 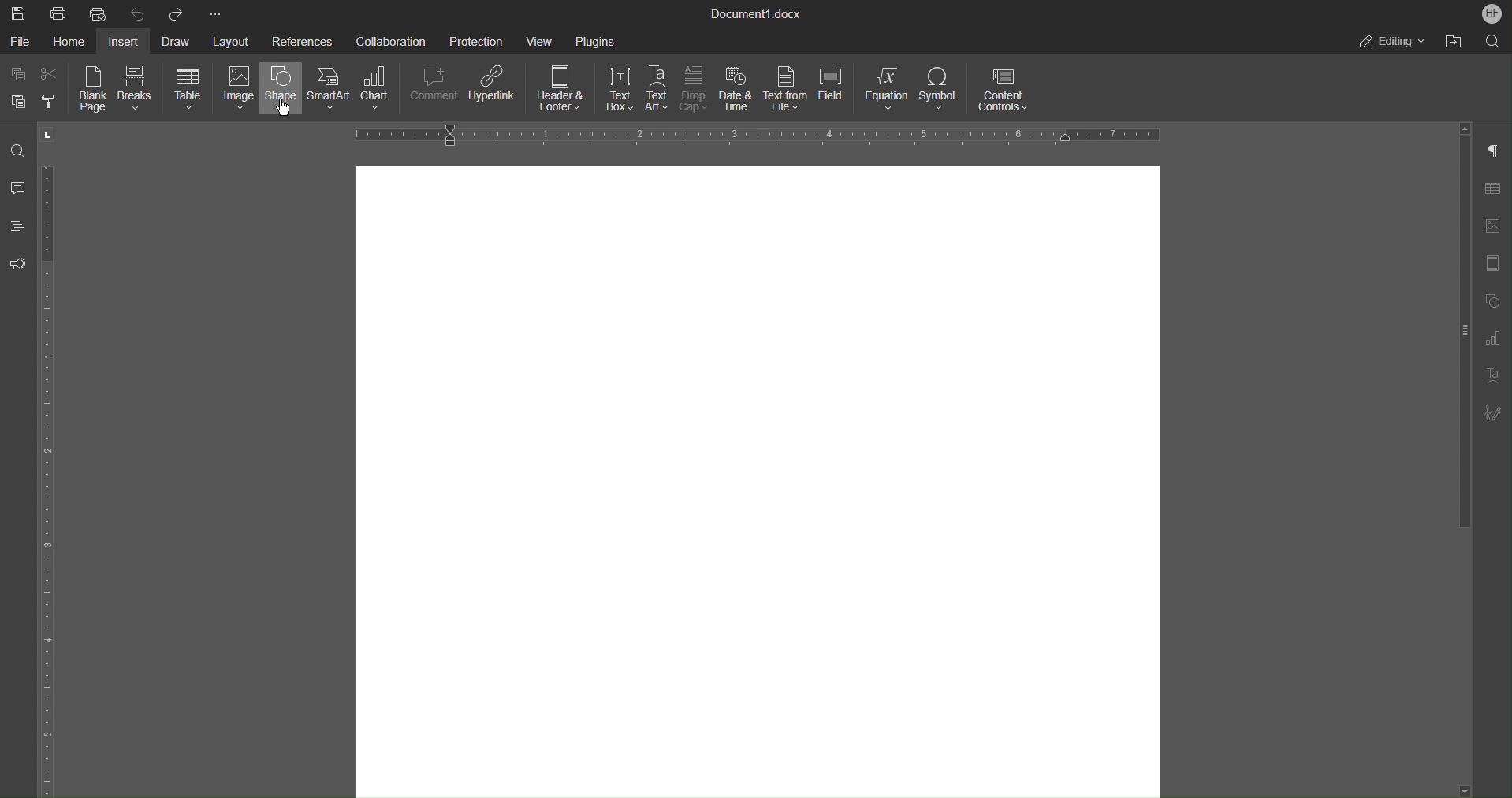 What do you see at coordinates (1465, 127) in the screenshot?
I see `Scroll up` at bounding box center [1465, 127].